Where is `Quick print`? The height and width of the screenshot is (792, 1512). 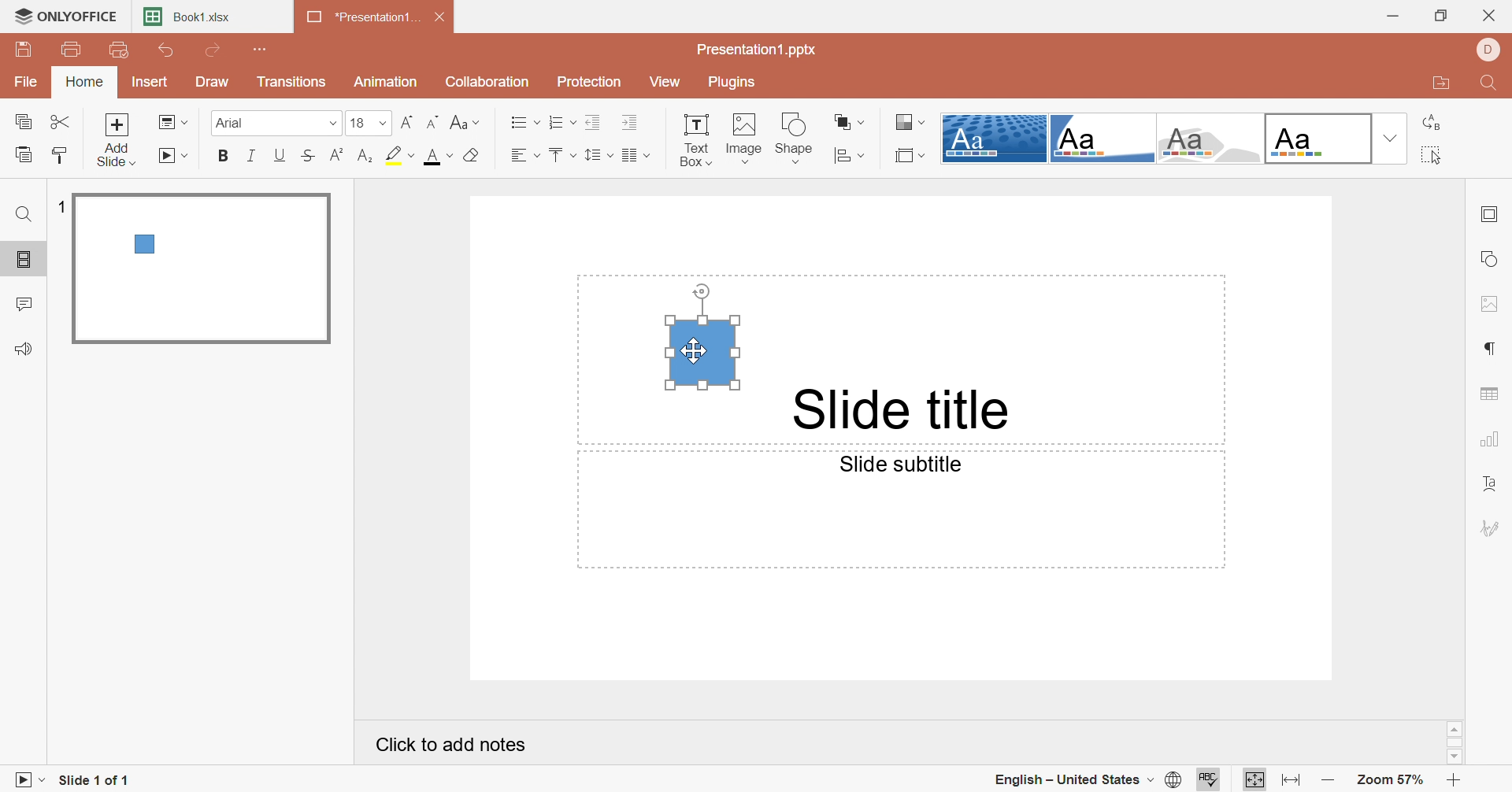
Quick print is located at coordinates (120, 51).